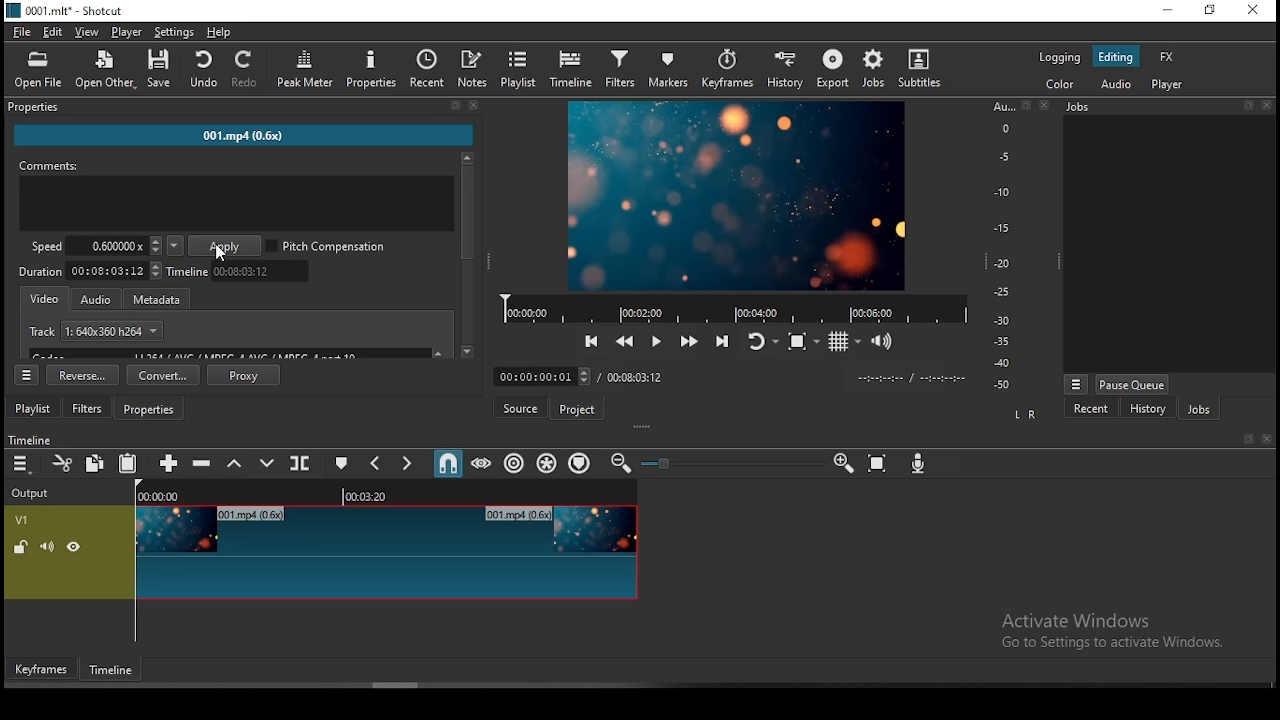 This screenshot has height=720, width=1280. Describe the element at coordinates (519, 69) in the screenshot. I see `playlist` at that location.